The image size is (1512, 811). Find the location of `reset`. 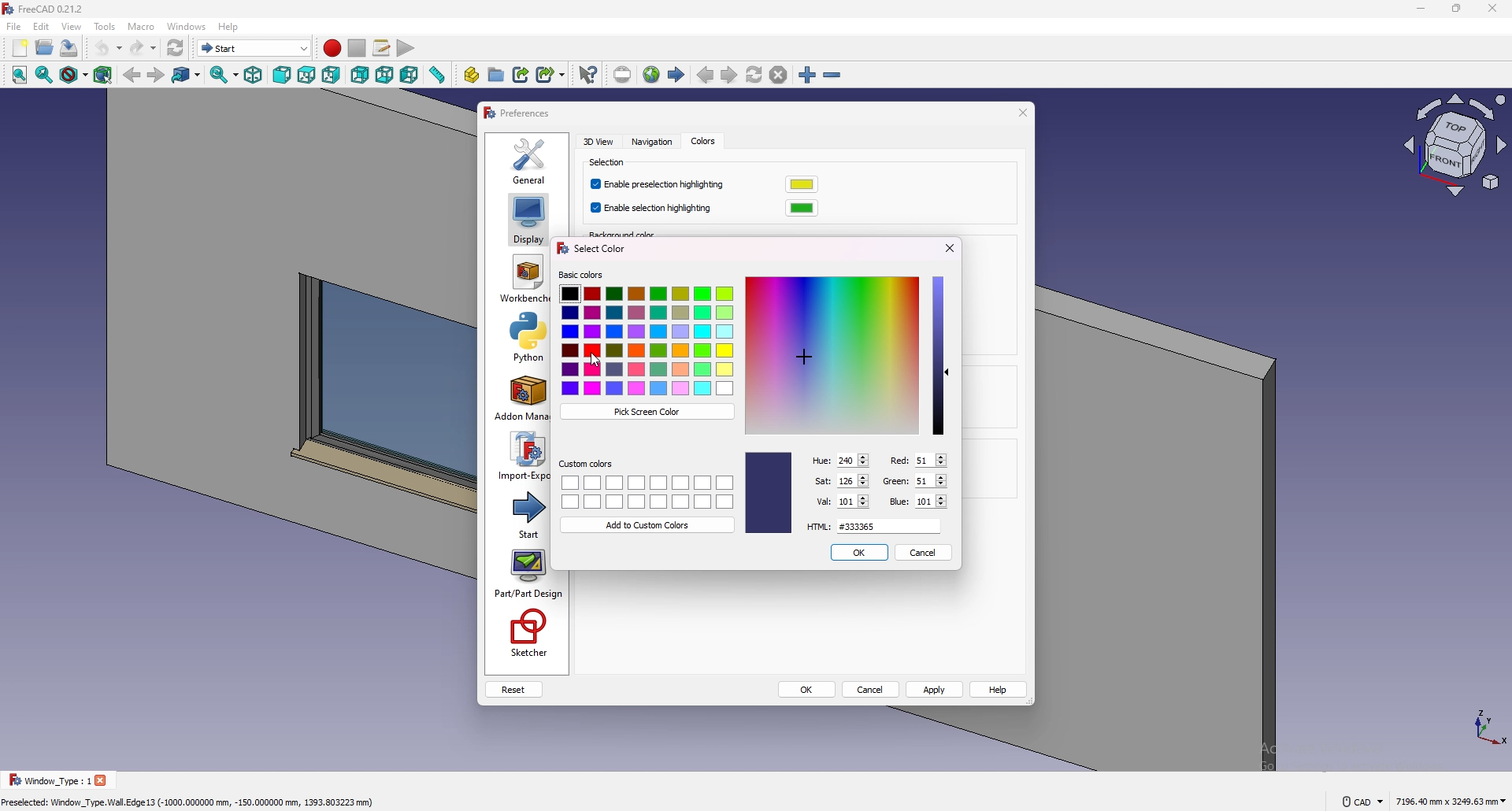

reset is located at coordinates (513, 690).